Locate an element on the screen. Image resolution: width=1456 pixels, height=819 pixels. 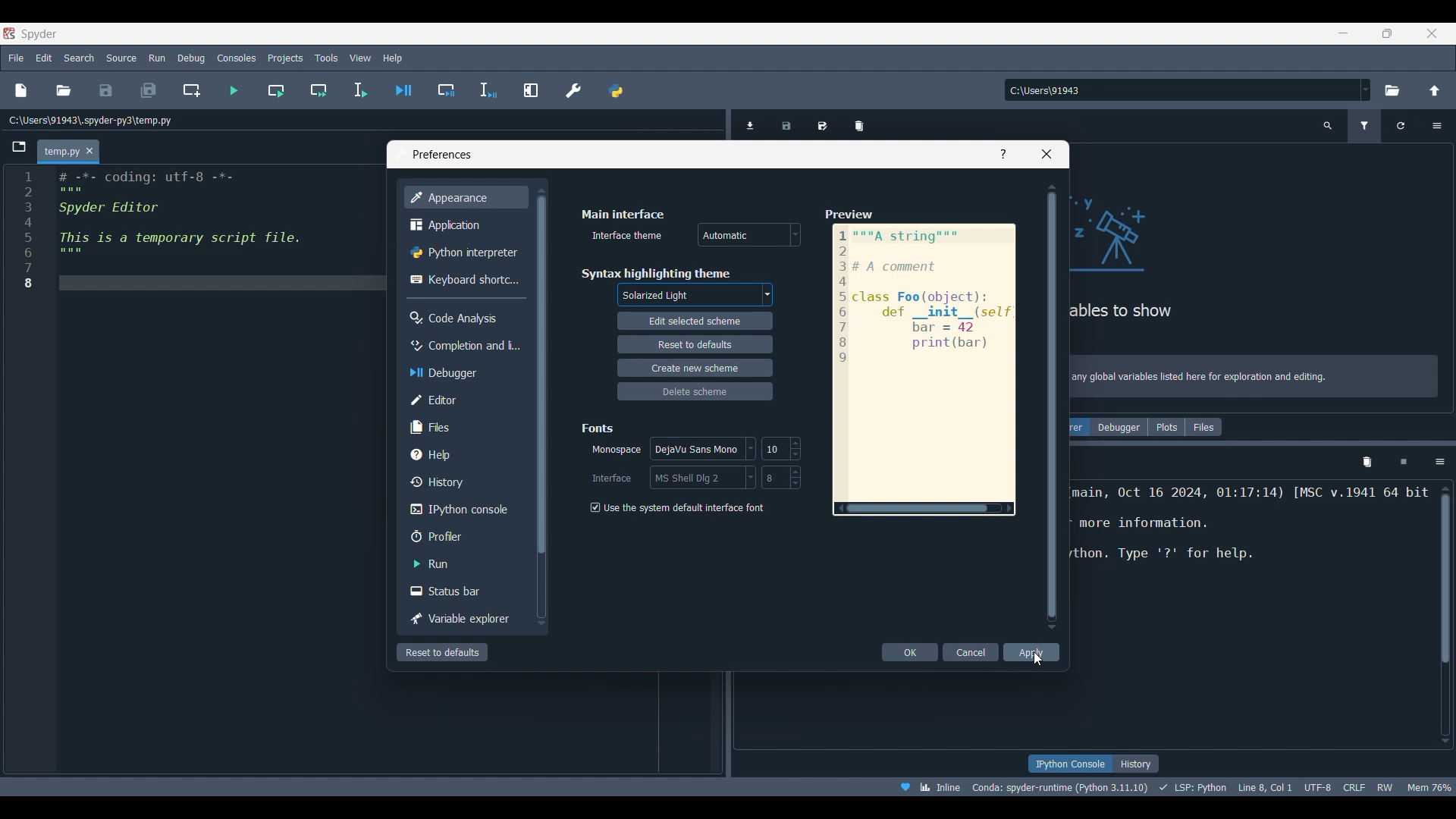
Close is located at coordinates (1046, 154).